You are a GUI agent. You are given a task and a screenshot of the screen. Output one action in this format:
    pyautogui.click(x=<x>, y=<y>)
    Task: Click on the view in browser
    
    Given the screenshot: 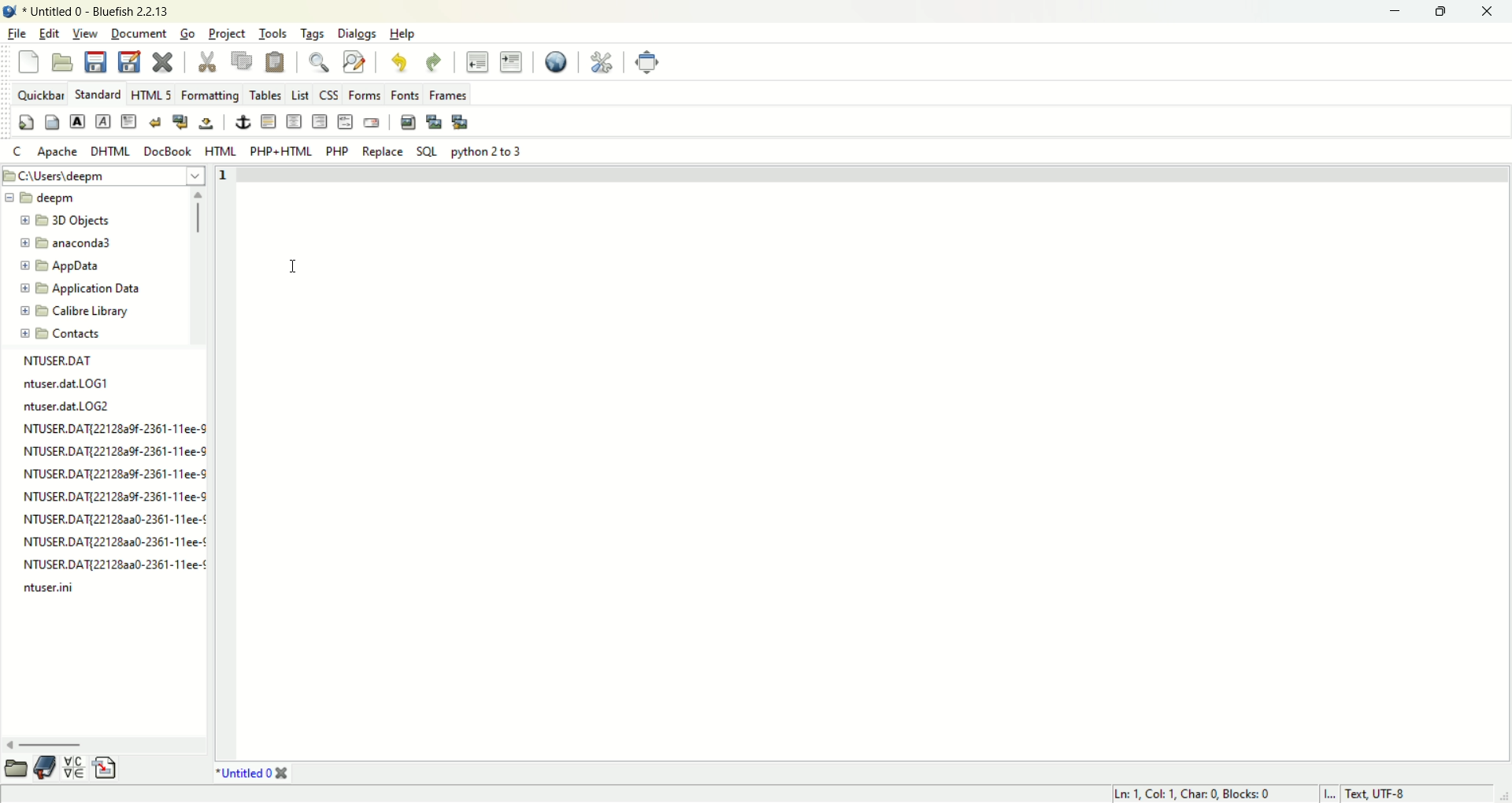 What is the action you would take?
    pyautogui.click(x=554, y=61)
    